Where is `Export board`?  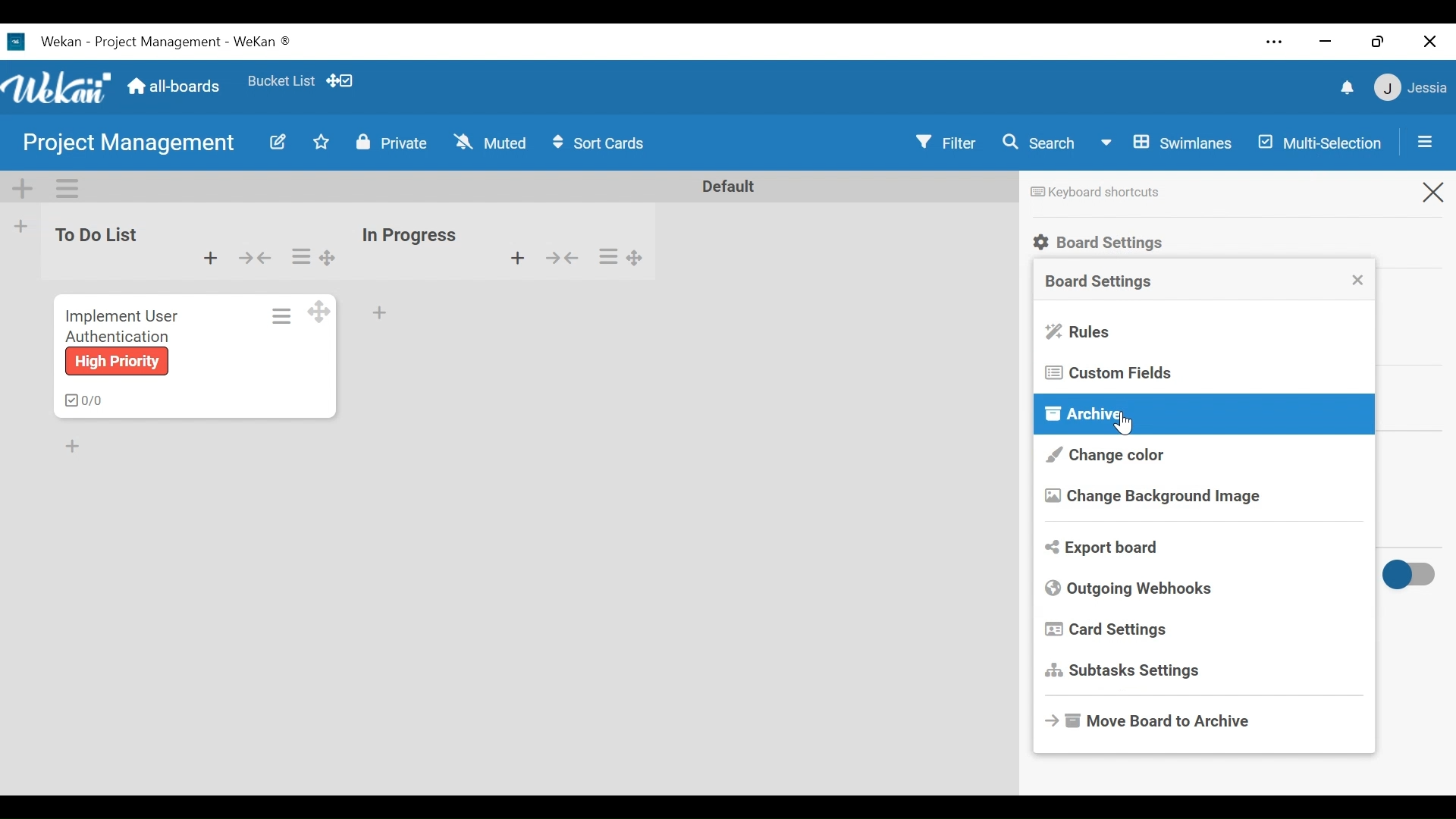
Export board is located at coordinates (1103, 546).